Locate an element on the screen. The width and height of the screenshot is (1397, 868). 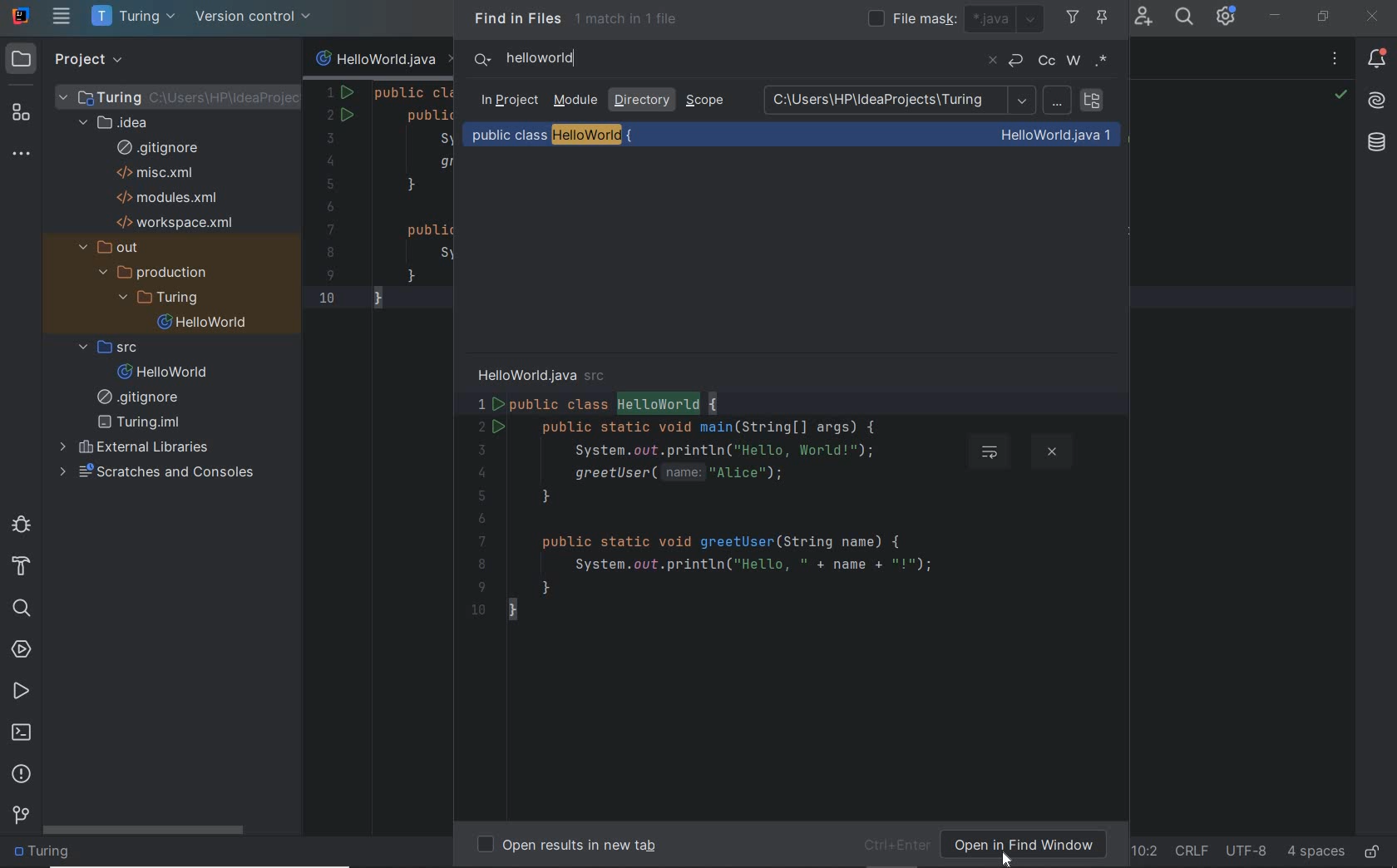
In Project is located at coordinates (511, 98).